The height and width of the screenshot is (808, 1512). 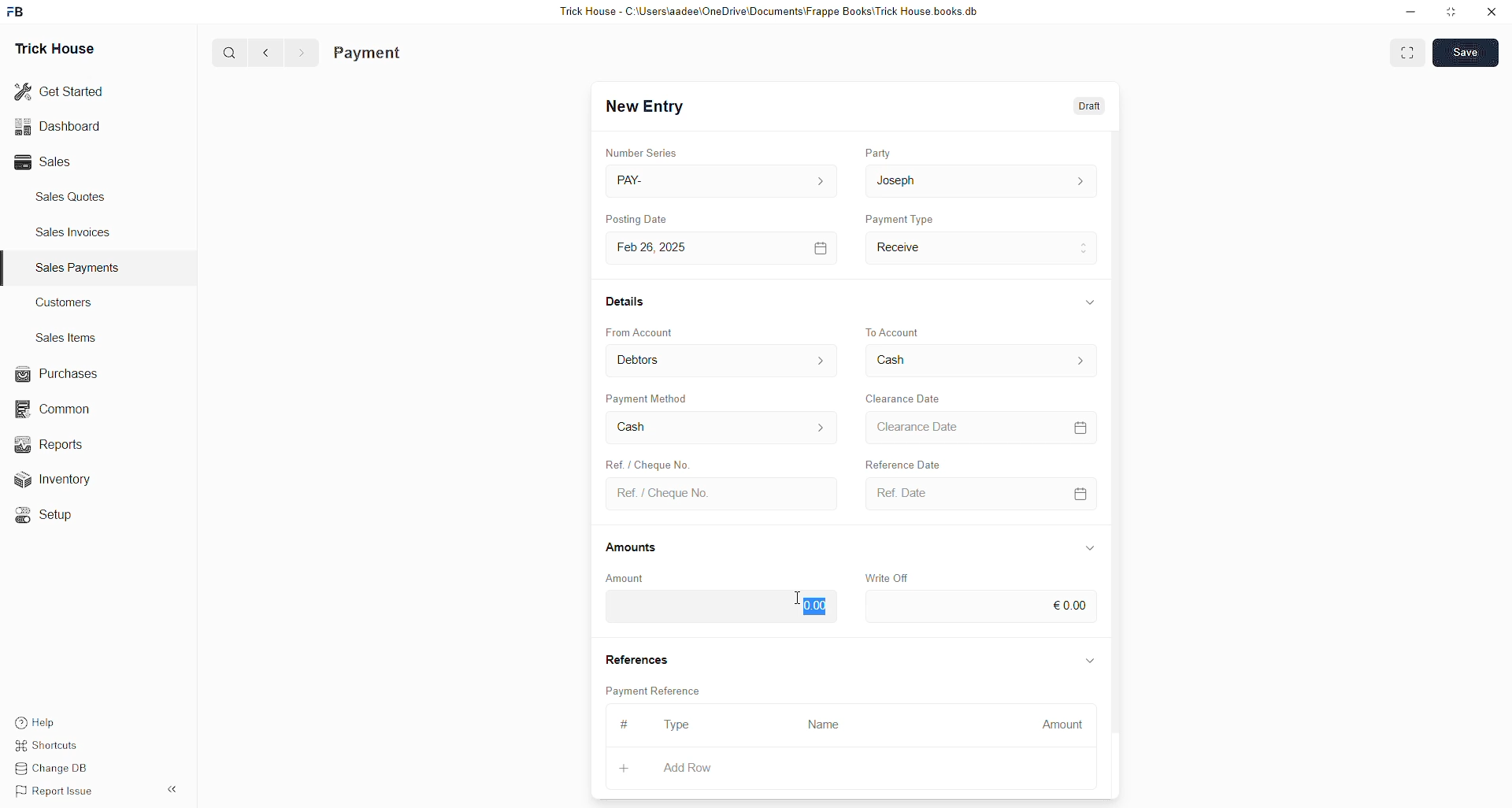 I want to click on Close, so click(x=1491, y=13).